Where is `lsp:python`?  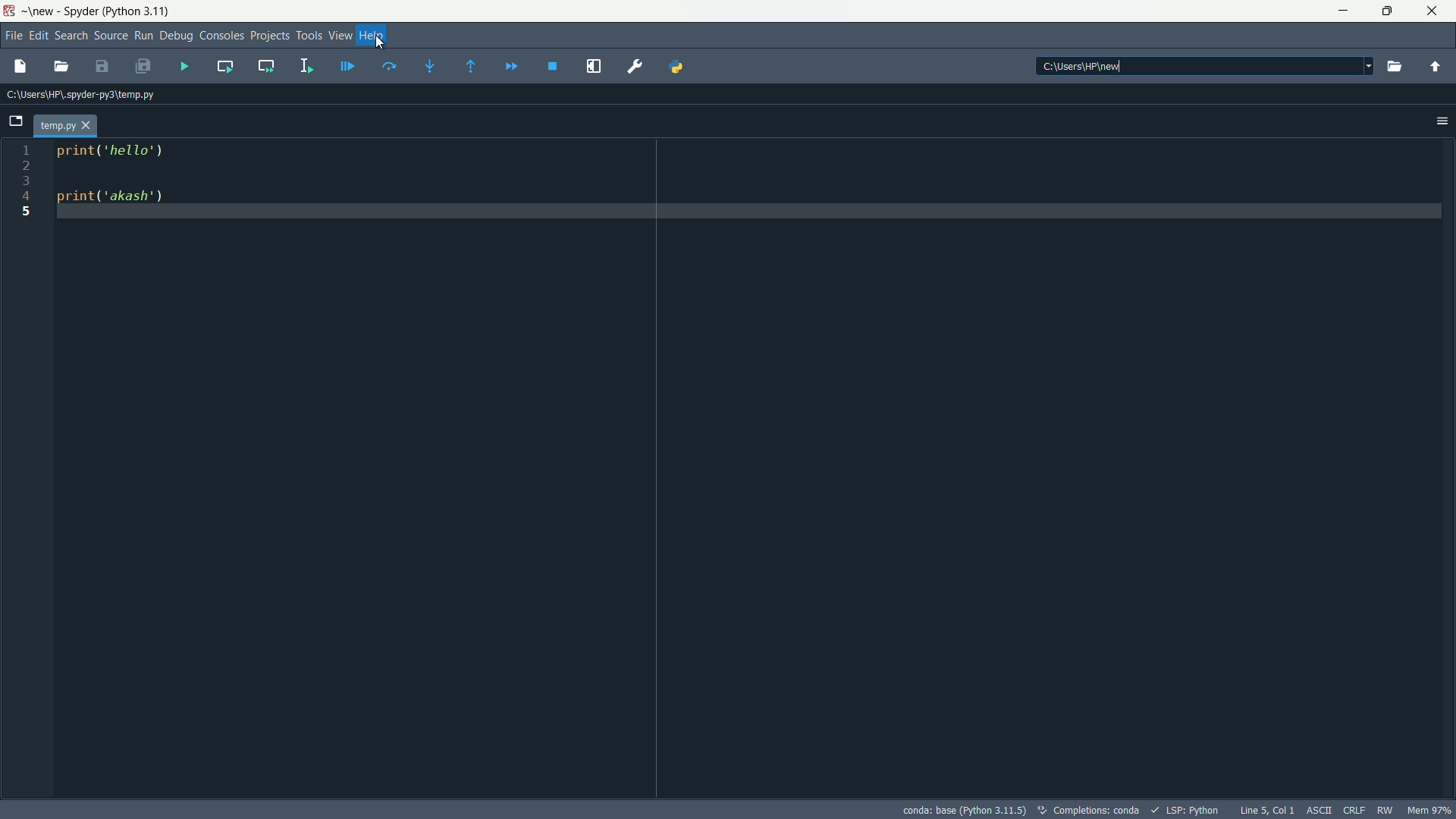
lsp:python is located at coordinates (1185, 810).